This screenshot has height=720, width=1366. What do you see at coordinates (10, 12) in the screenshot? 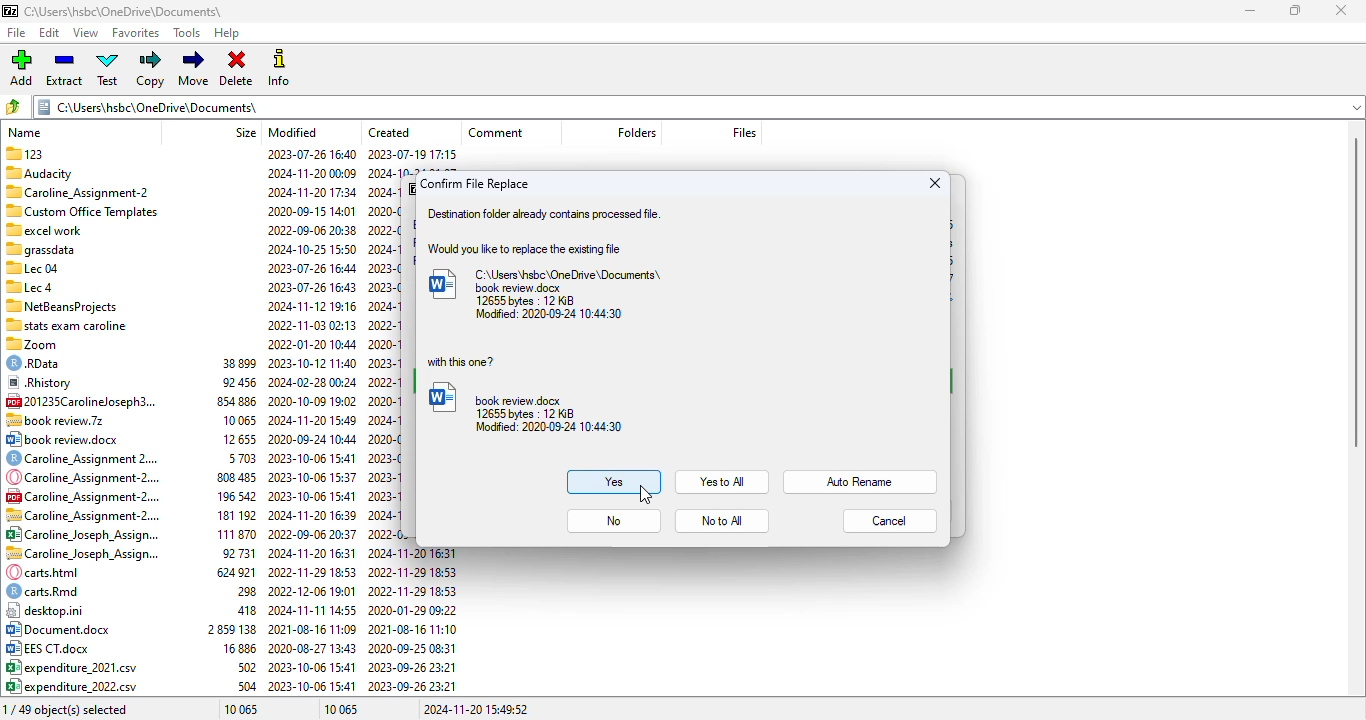
I see `logo` at bounding box center [10, 12].